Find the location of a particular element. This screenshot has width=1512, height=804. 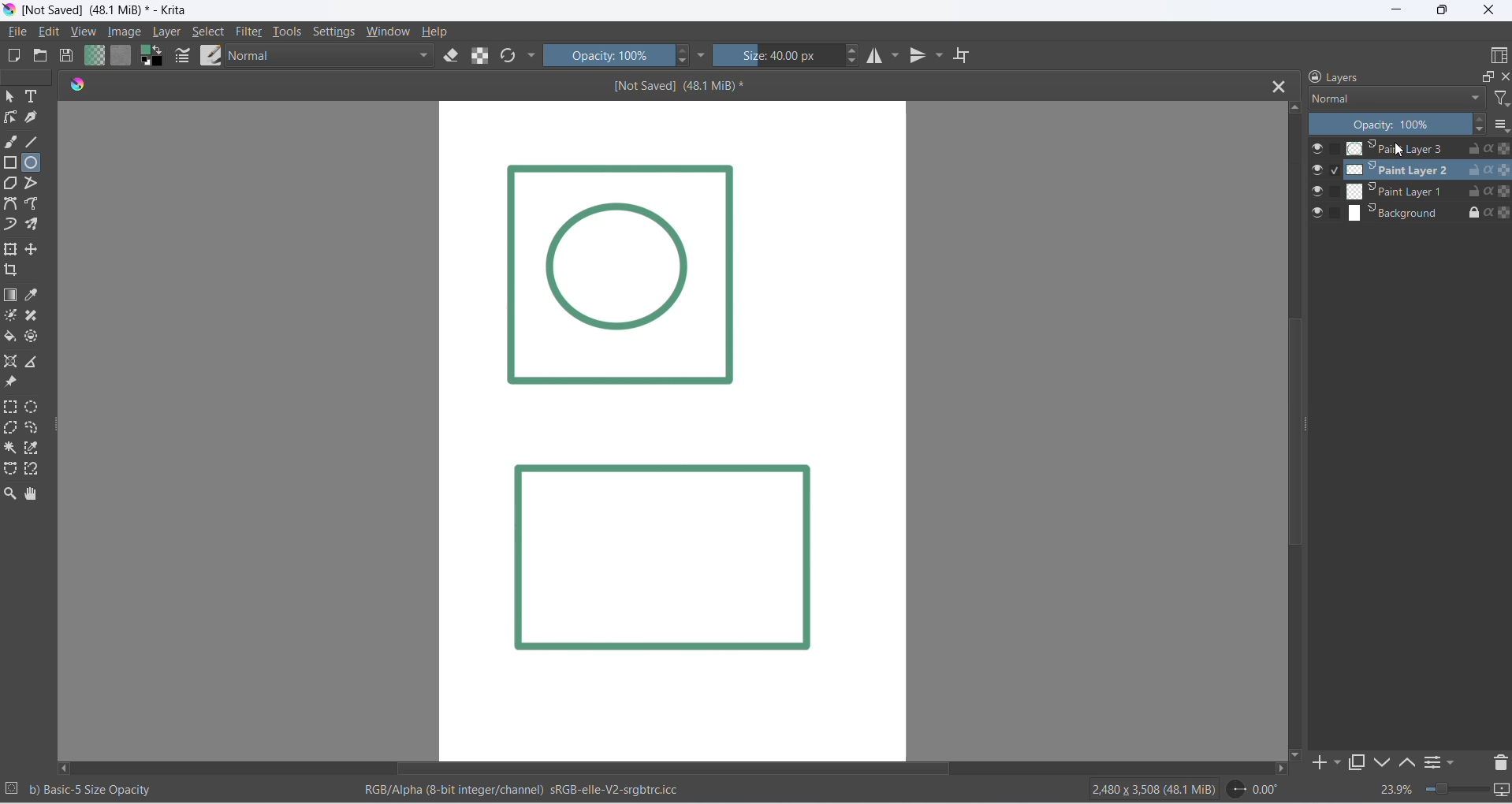

Image layer 2 is located at coordinates (667, 557).